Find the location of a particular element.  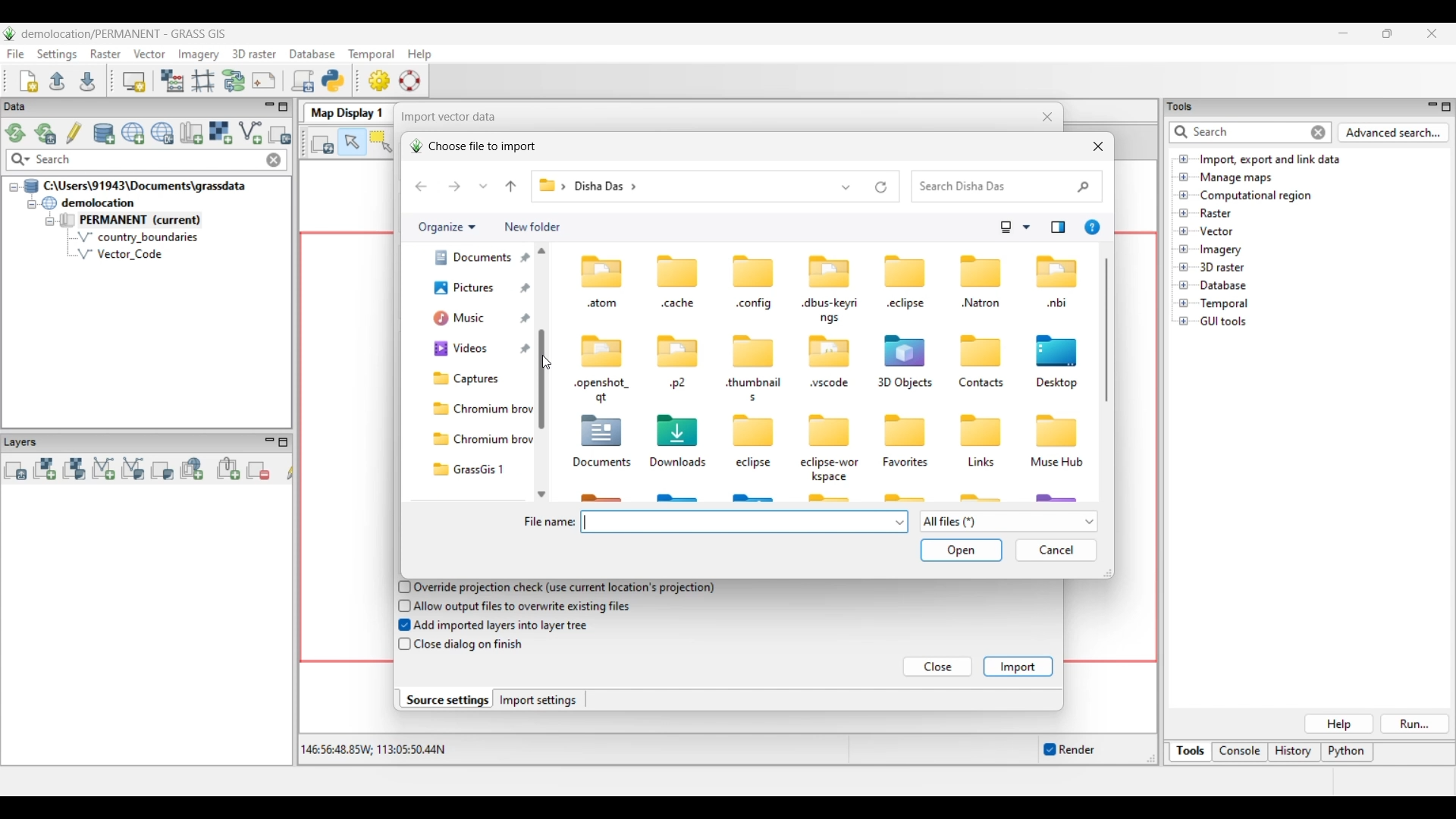

Maximize Tools panel is located at coordinates (1446, 107).